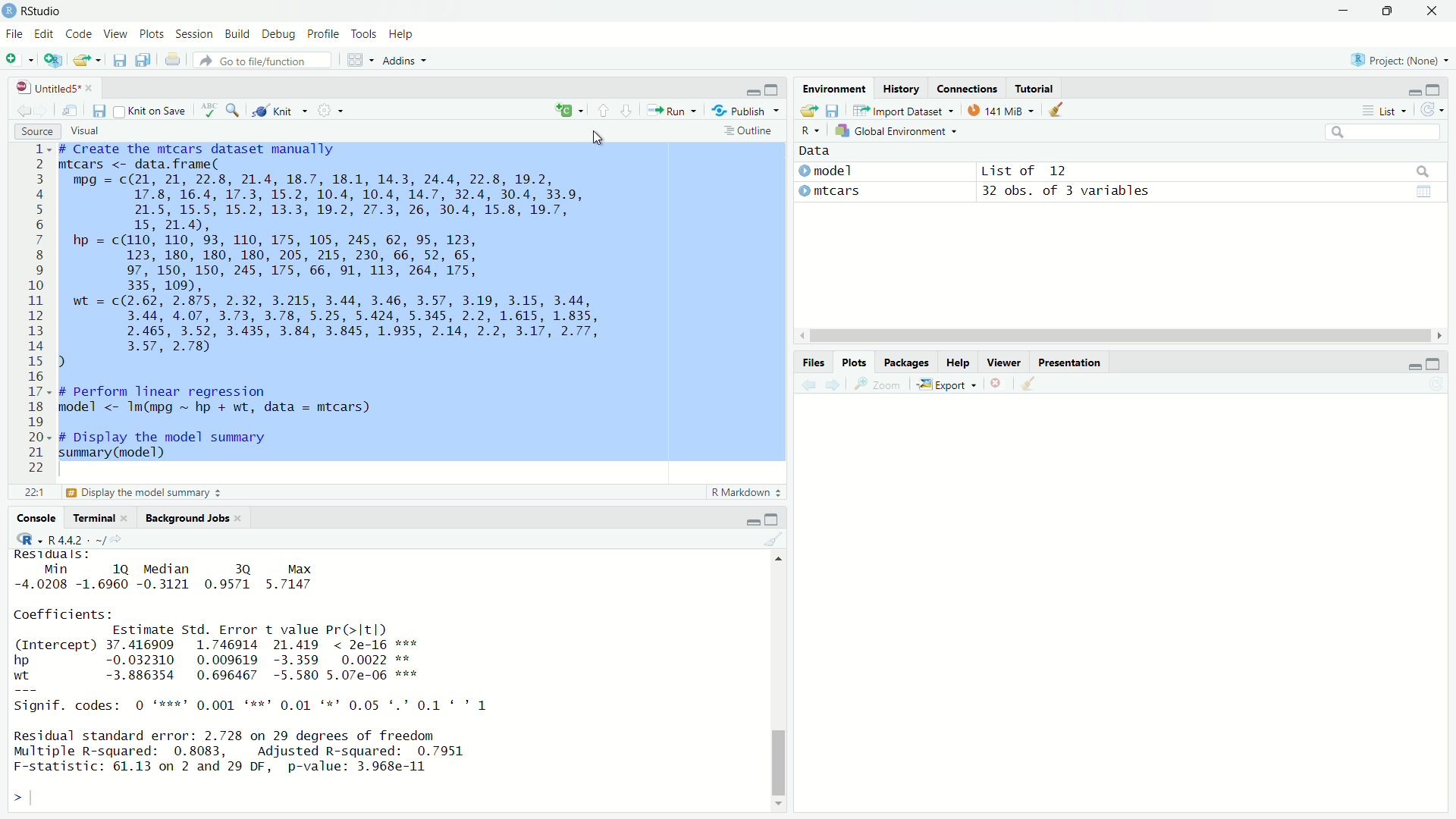 This screenshot has width=1456, height=819. What do you see at coordinates (33, 494) in the screenshot?
I see `221` at bounding box center [33, 494].